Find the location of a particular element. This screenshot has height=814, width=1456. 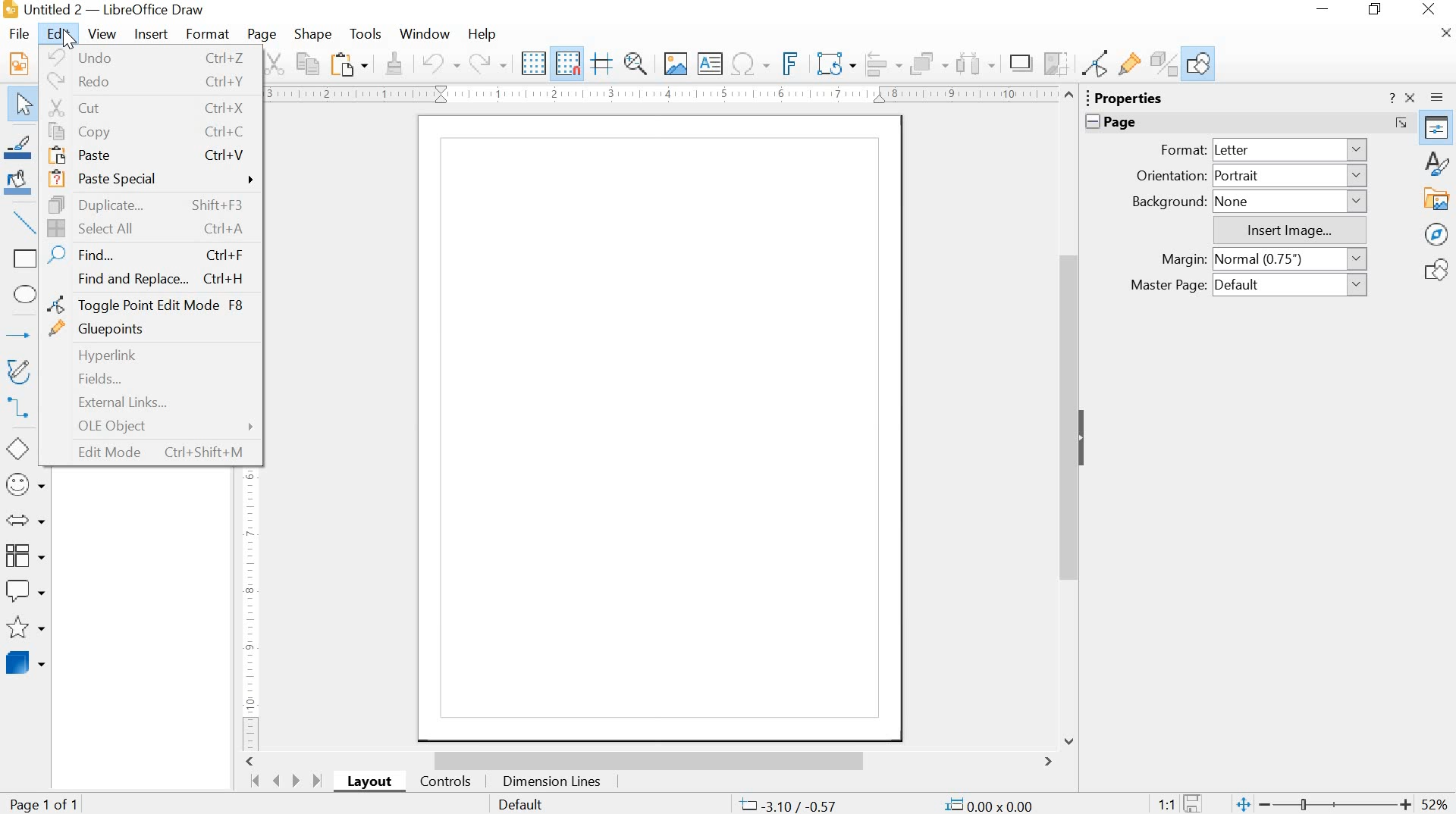

Lines and Arrows (double click for multi-selection) is located at coordinates (24, 336).